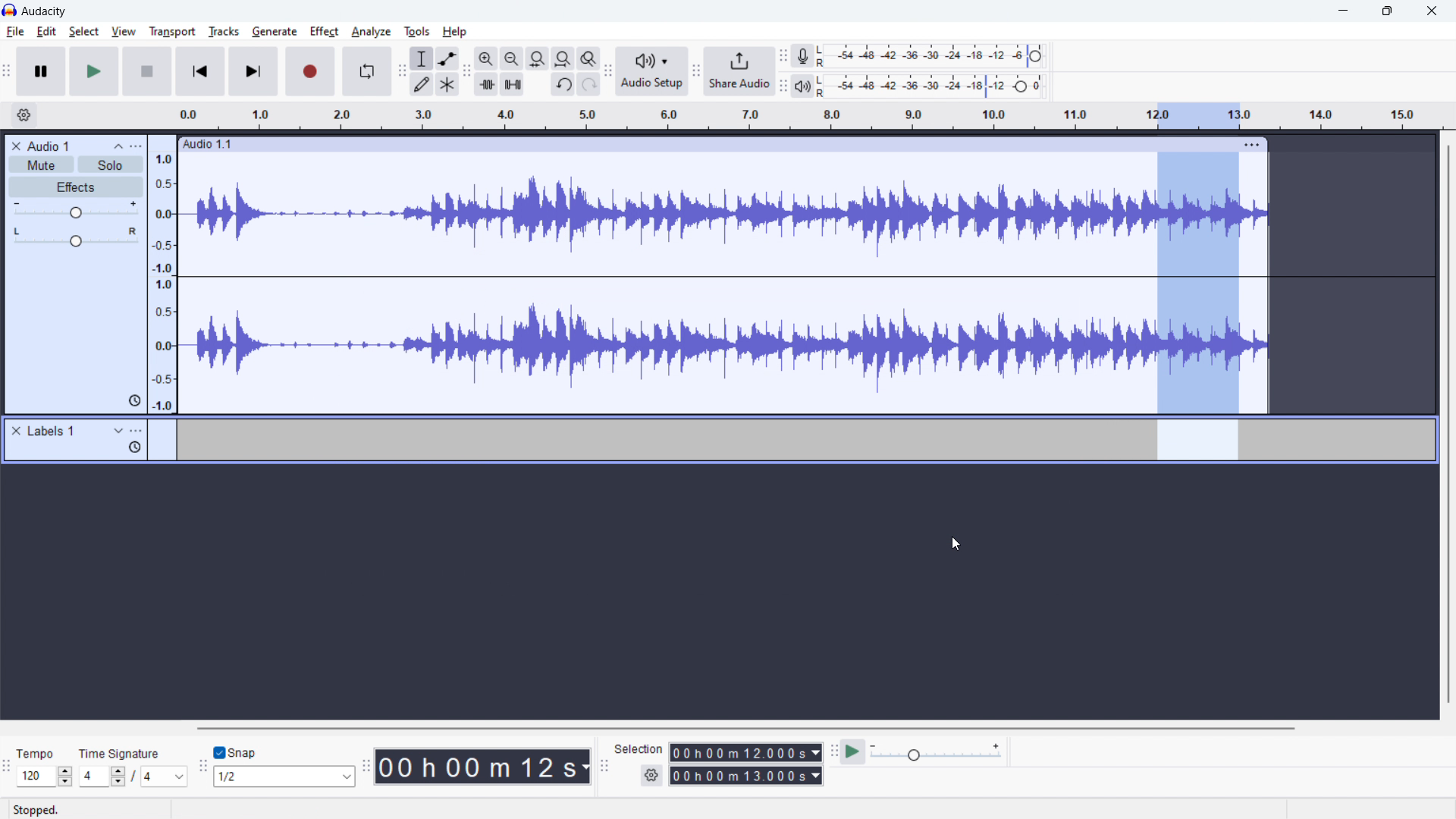  Describe the element at coordinates (466, 72) in the screenshot. I see `edit toolbar` at that location.